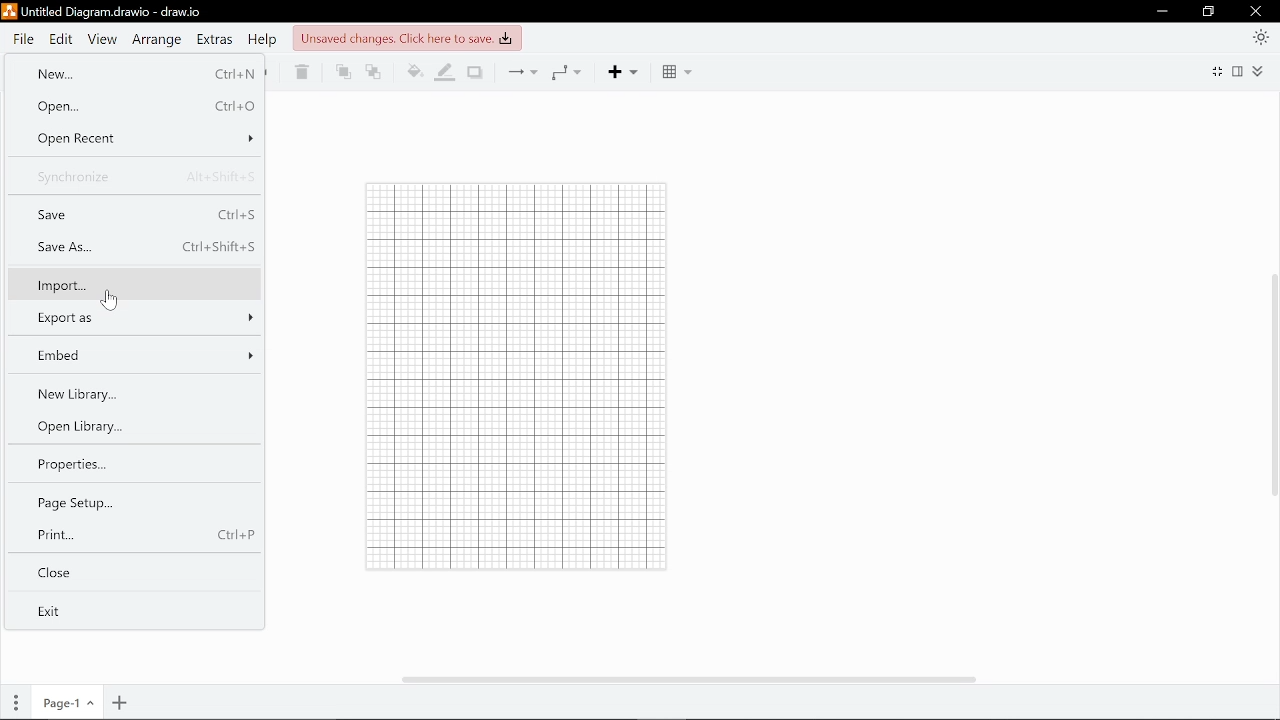 Image resolution: width=1280 pixels, height=720 pixels. What do you see at coordinates (103, 39) in the screenshot?
I see `View` at bounding box center [103, 39].